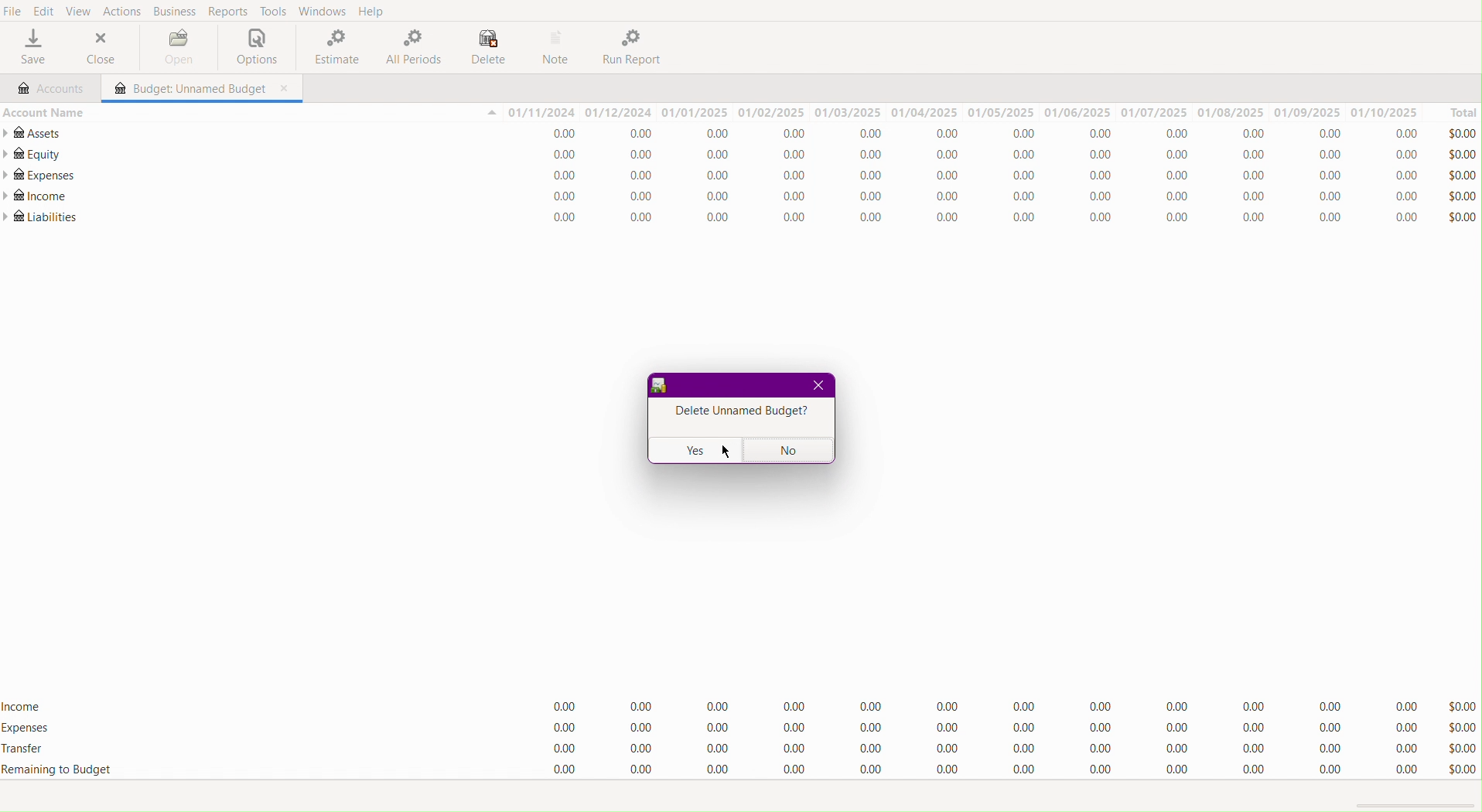 The width and height of the screenshot is (1482, 812). What do you see at coordinates (988, 728) in the screenshot?
I see `Expenses` at bounding box center [988, 728].